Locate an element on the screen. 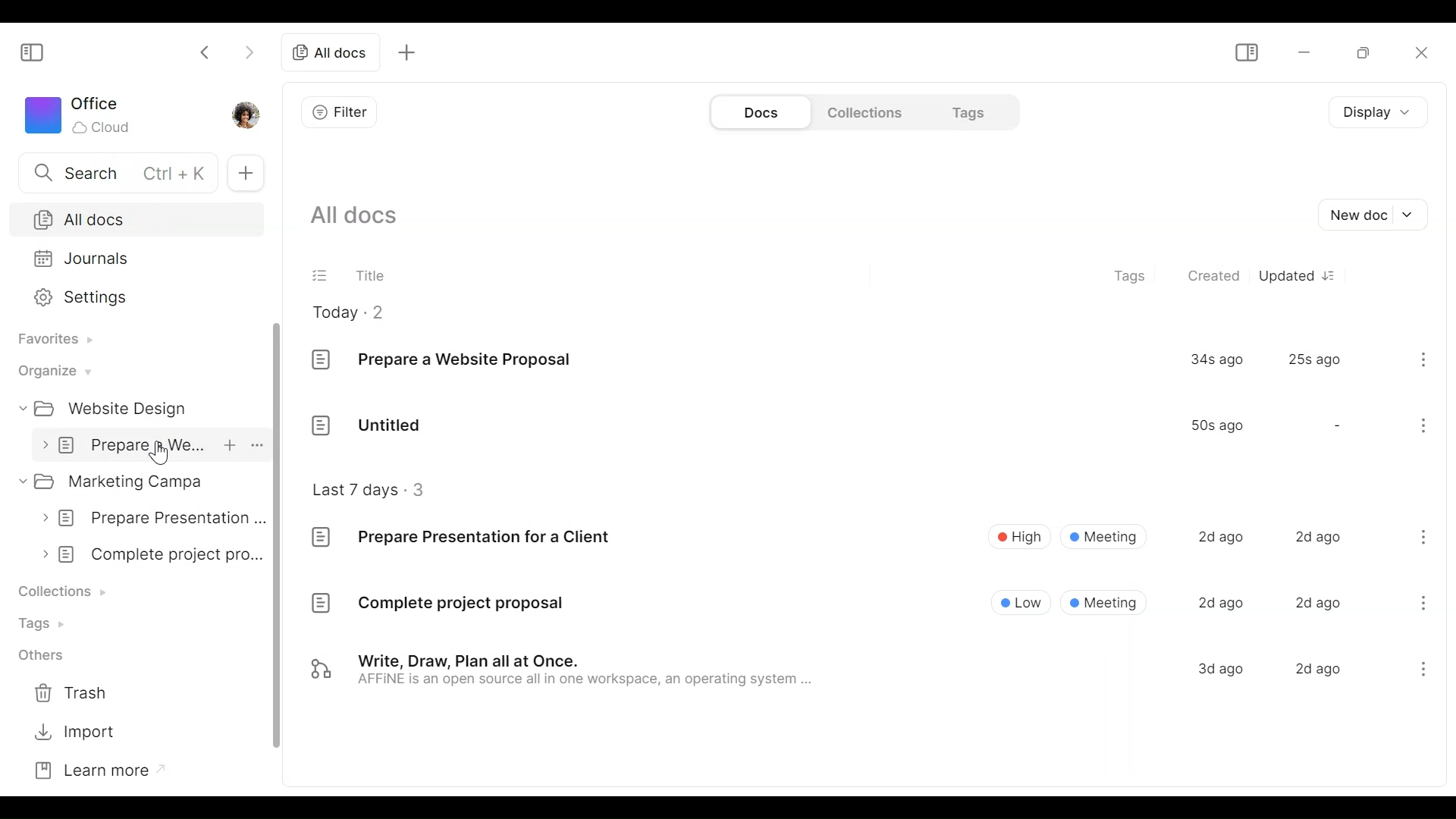  Created is located at coordinates (1211, 275).